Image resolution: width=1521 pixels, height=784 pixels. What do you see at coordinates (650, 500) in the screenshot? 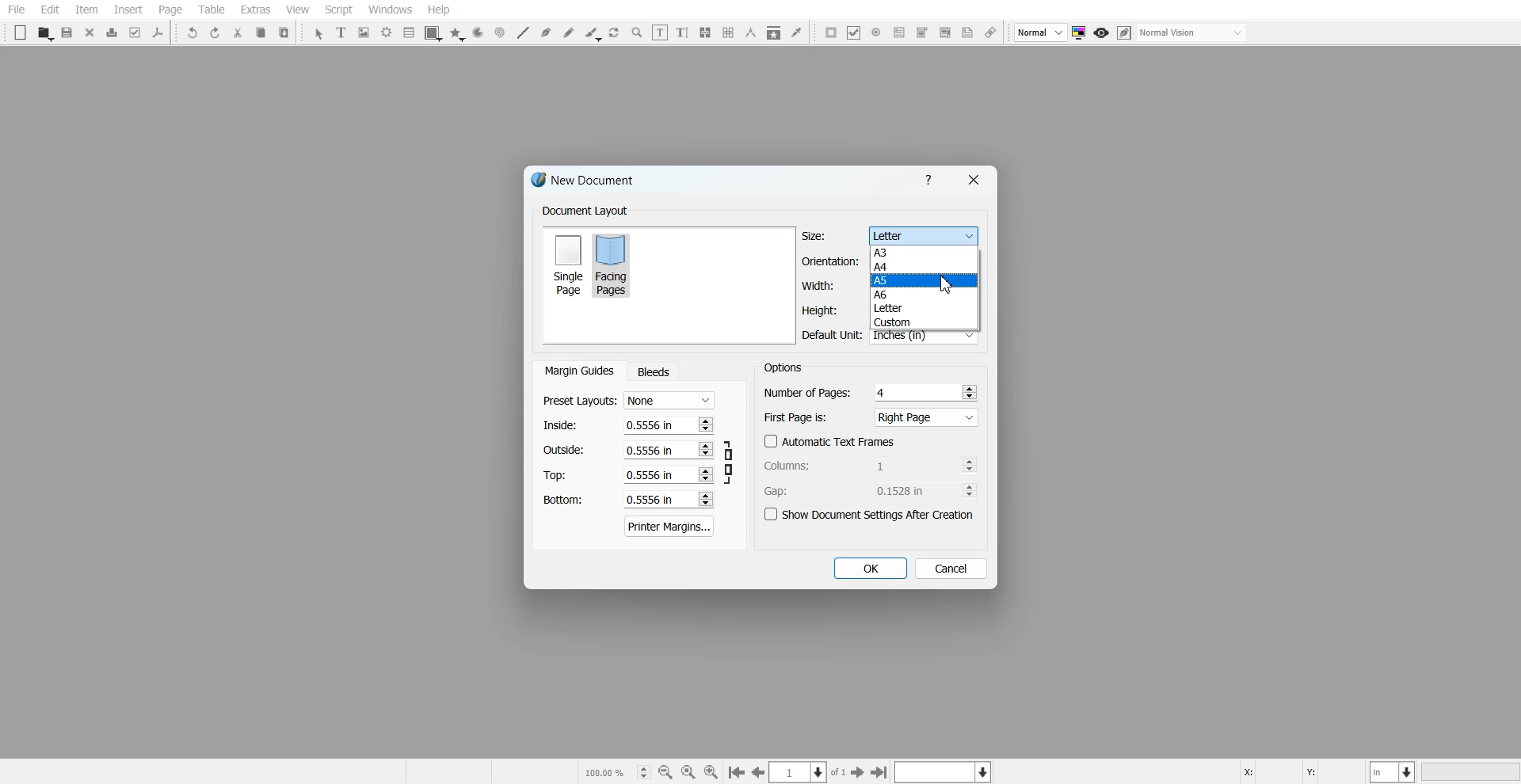
I see `0.5556 in` at bounding box center [650, 500].